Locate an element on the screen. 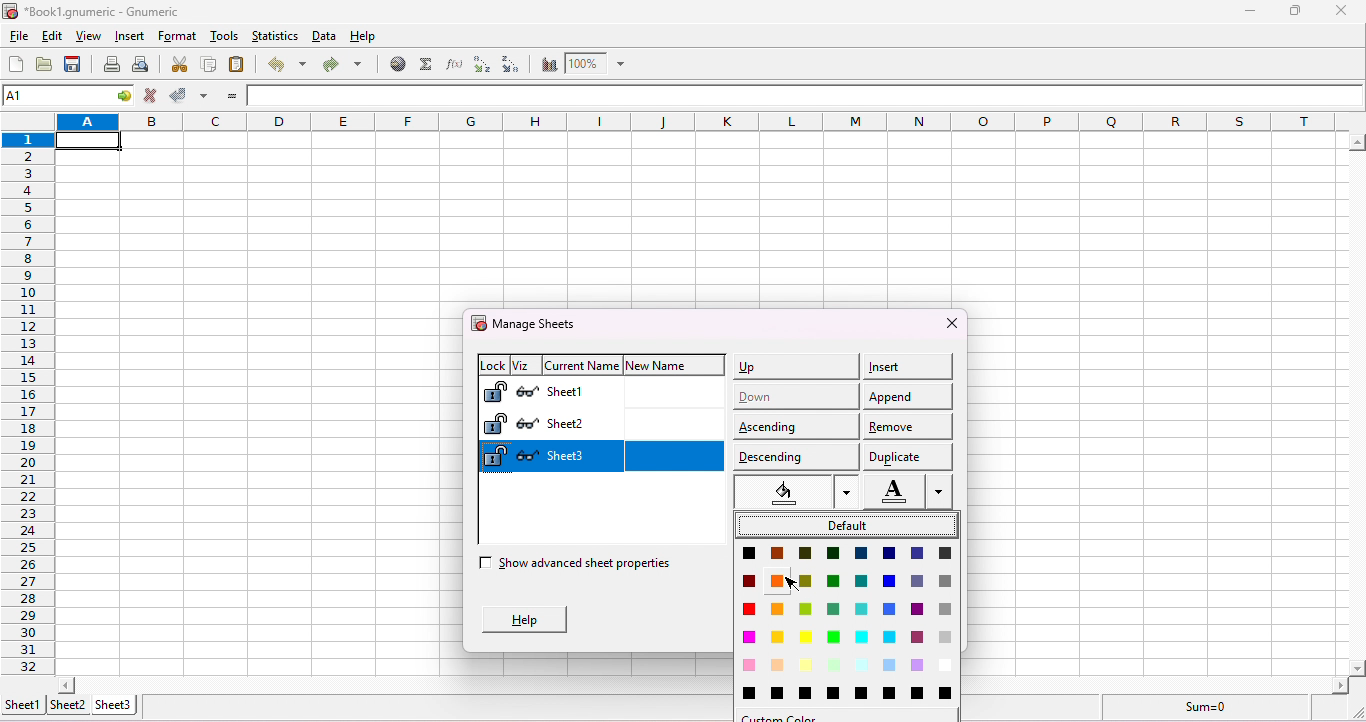 This screenshot has width=1366, height=722. Lock sheet 3 is located at coordinates (493, 456).